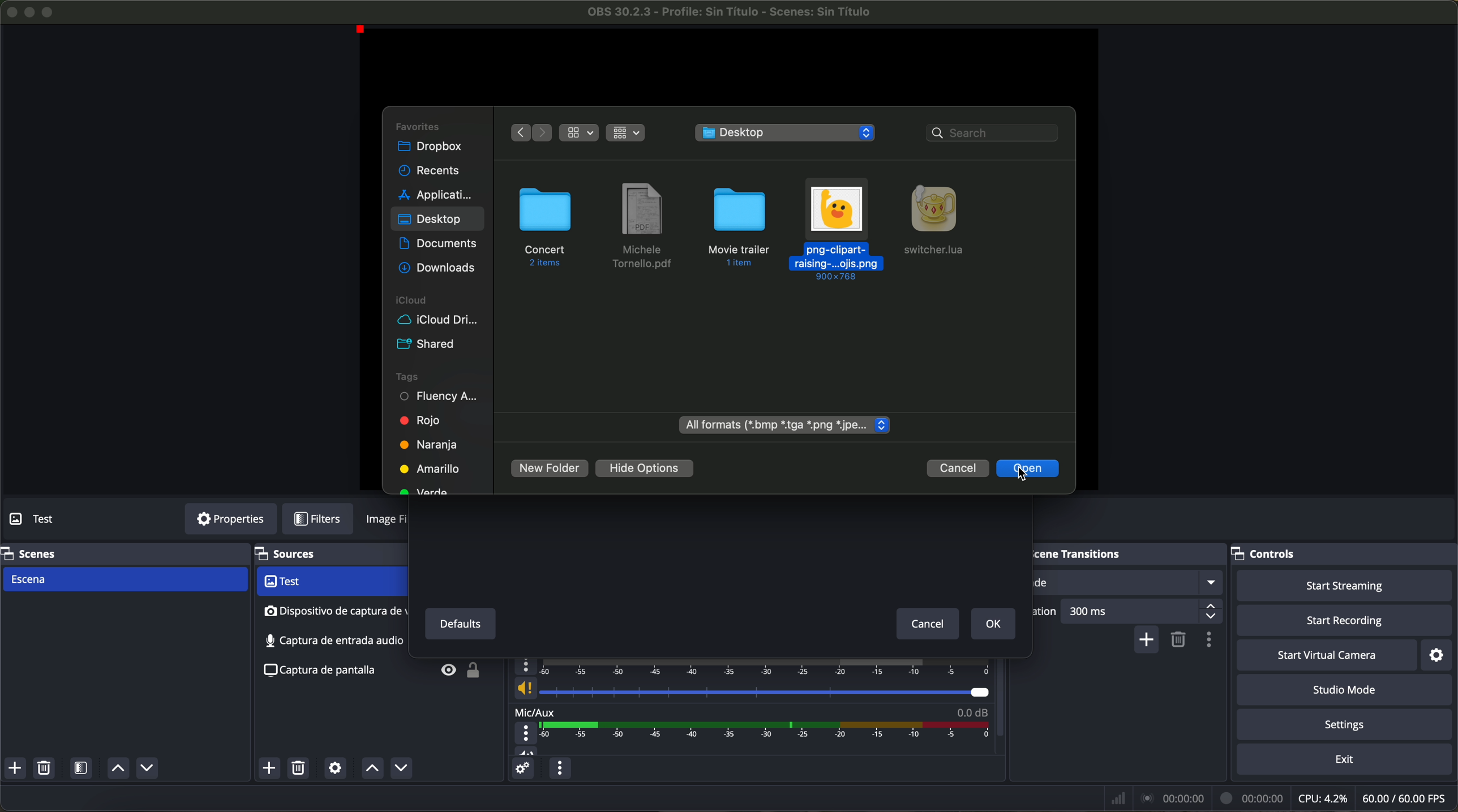  Describe the element at coordinates (427, 444) in the screenshot. I see `orange` at that location.